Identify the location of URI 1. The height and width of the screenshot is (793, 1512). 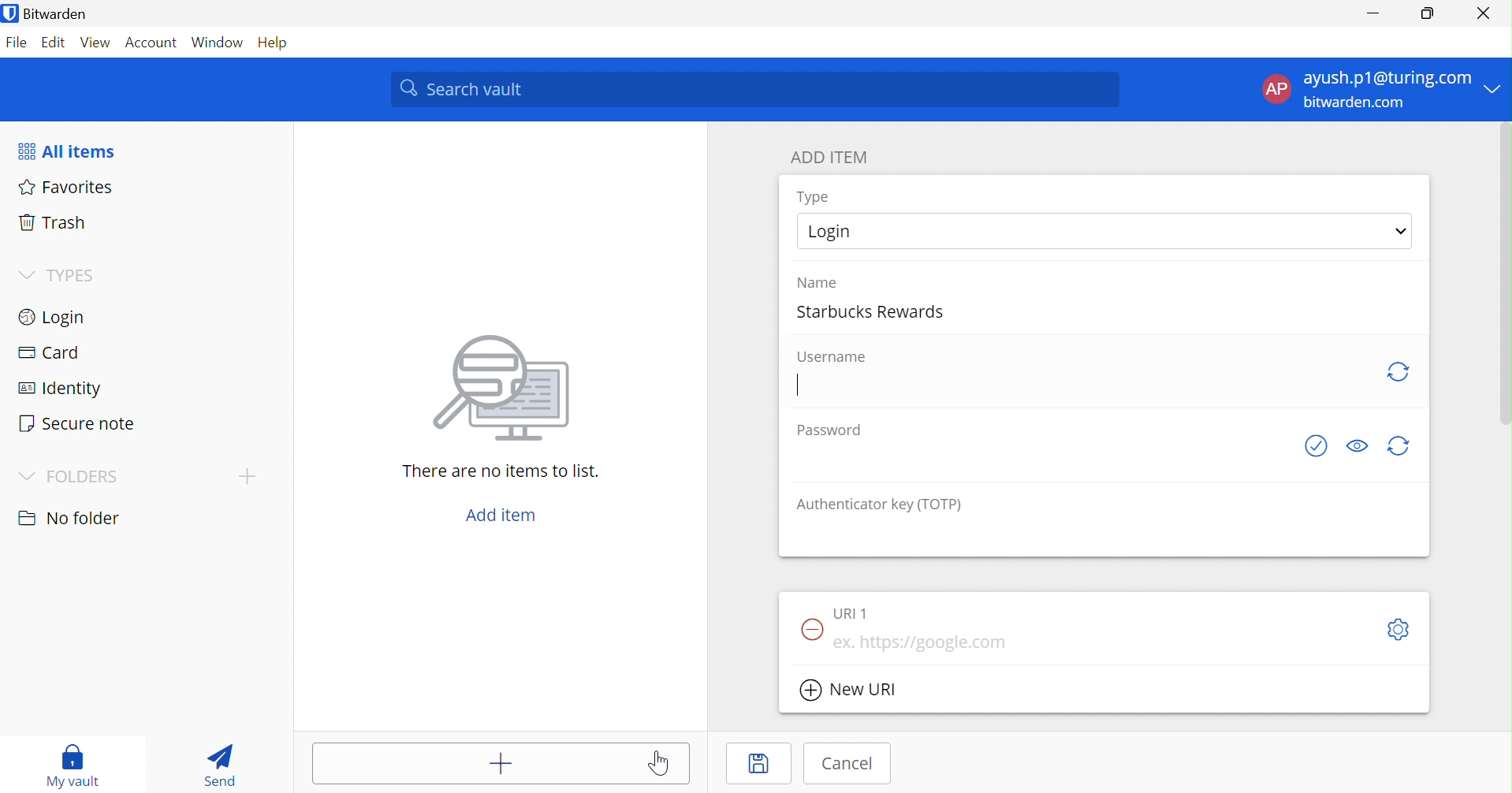
(855, 613).